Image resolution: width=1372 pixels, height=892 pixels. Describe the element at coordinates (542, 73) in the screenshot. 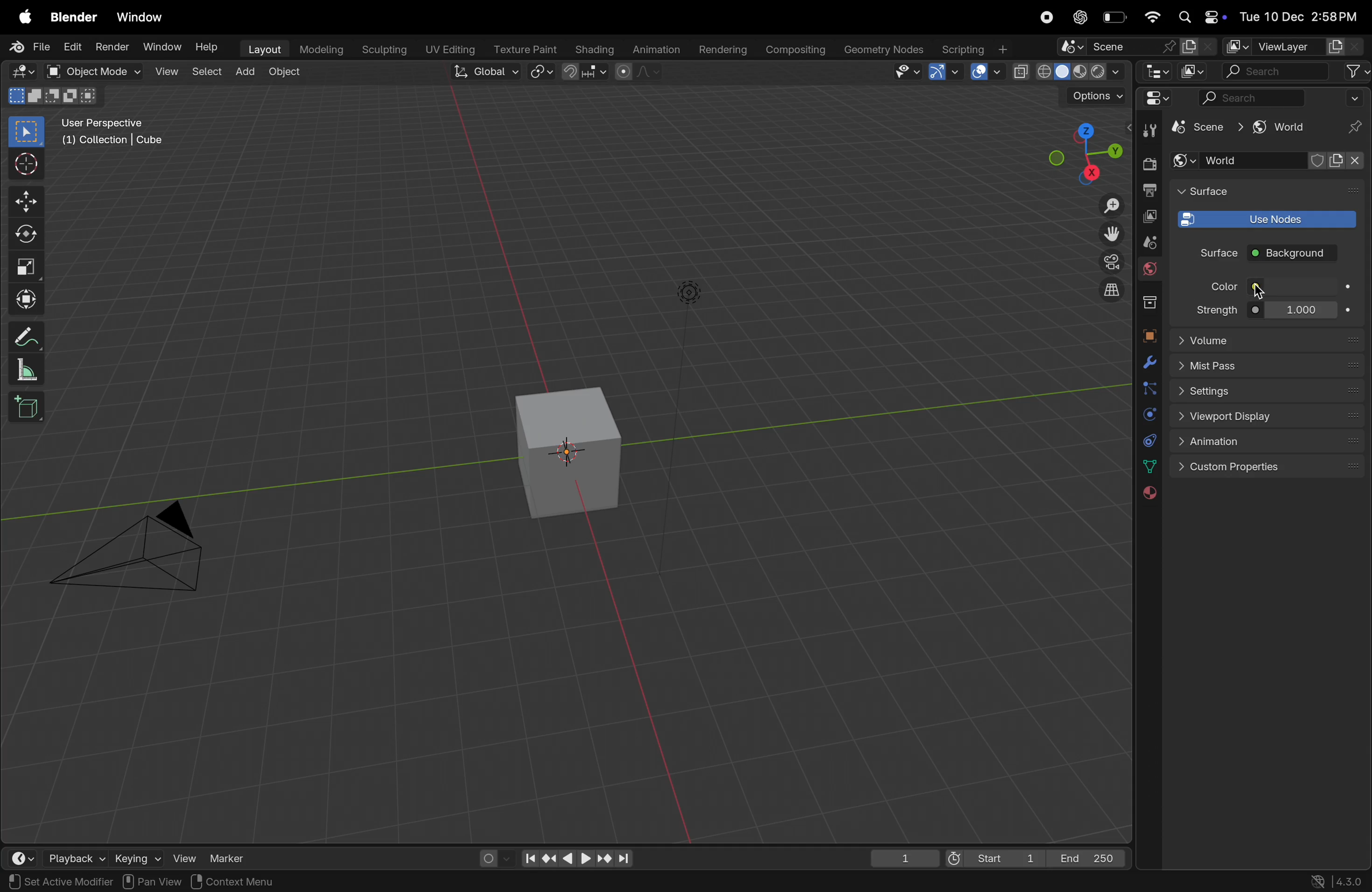

I see `Pviot point` at that location.